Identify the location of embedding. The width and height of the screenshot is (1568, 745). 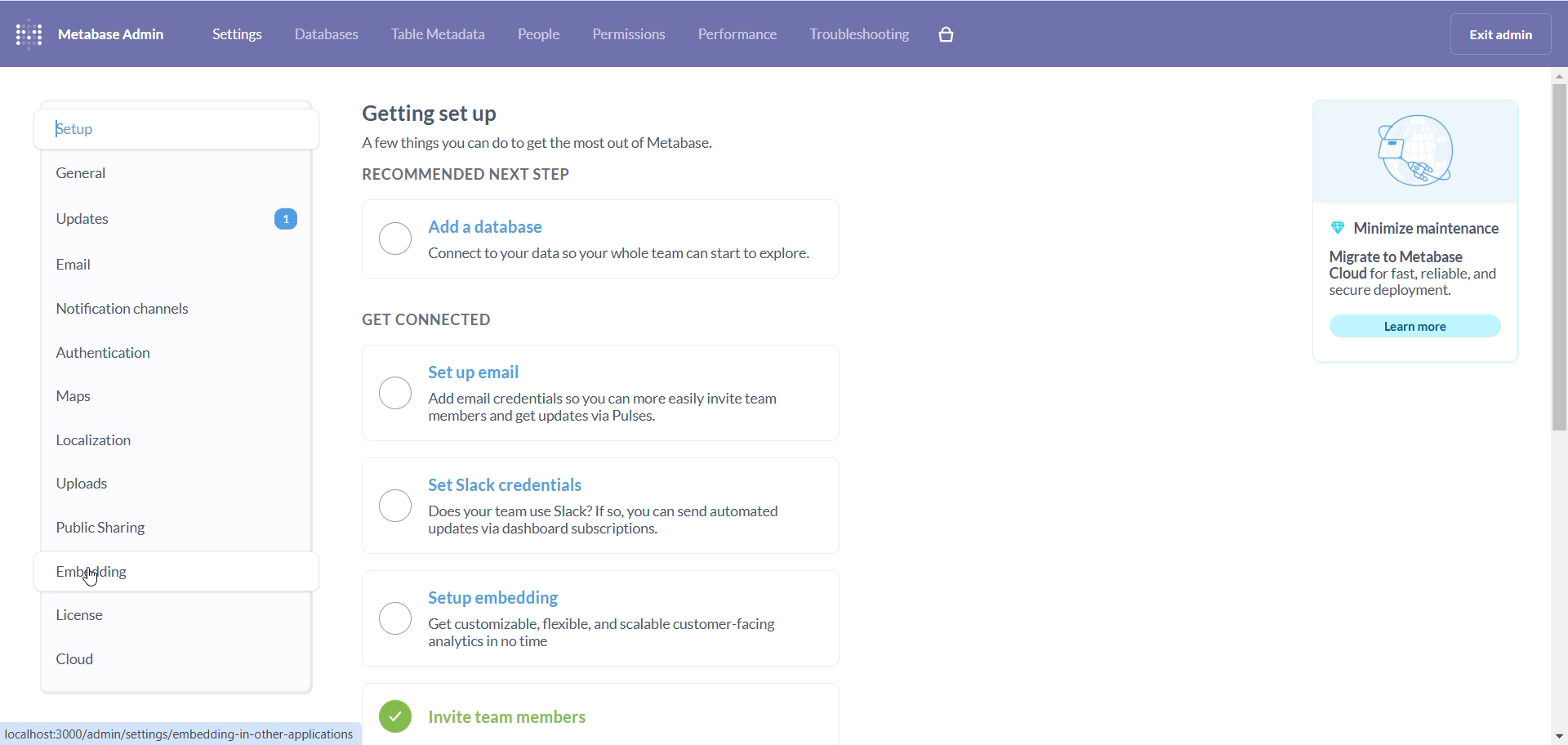
(148, 578).